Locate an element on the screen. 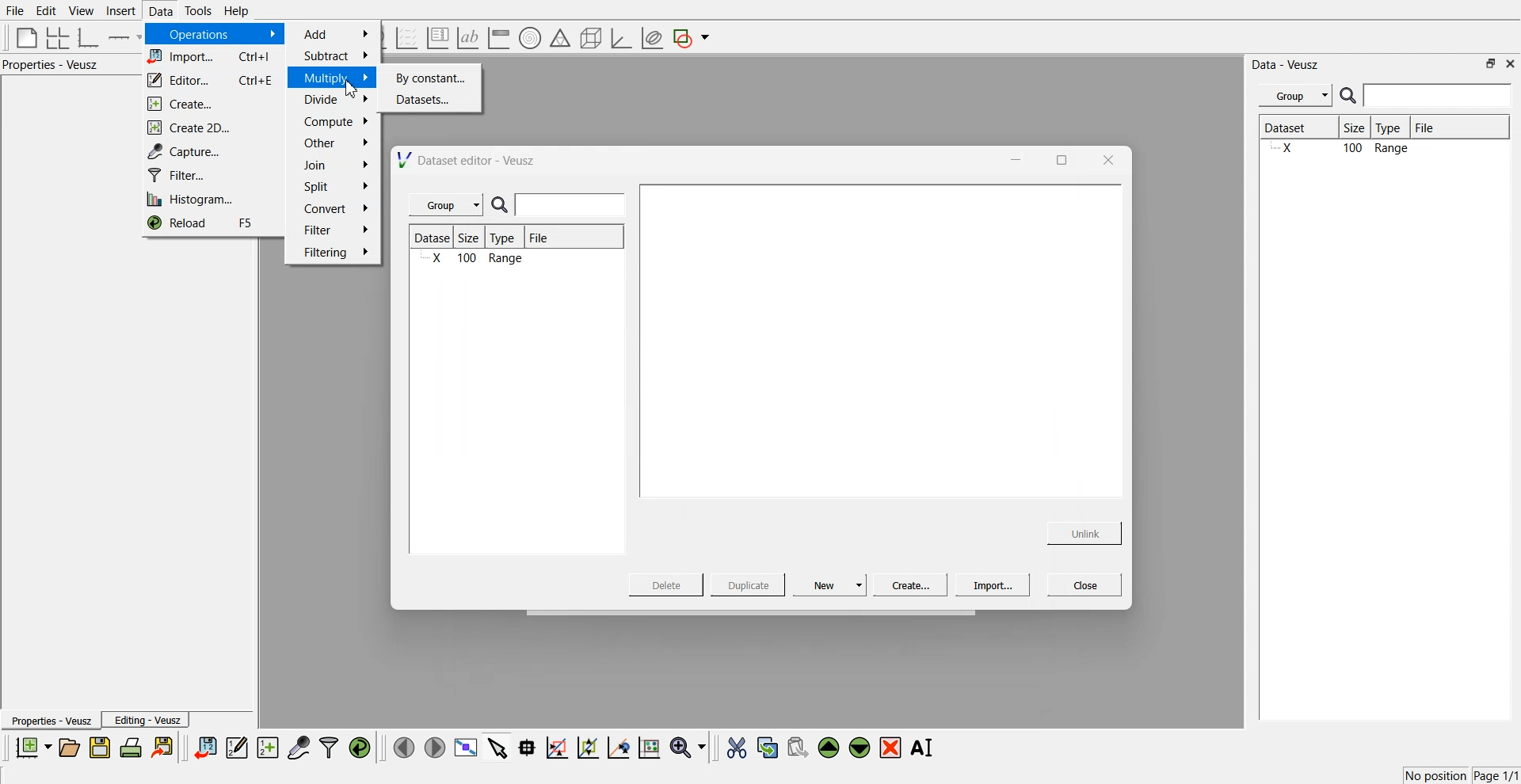  copy the selected widgets is located at coordinates (768, 747).